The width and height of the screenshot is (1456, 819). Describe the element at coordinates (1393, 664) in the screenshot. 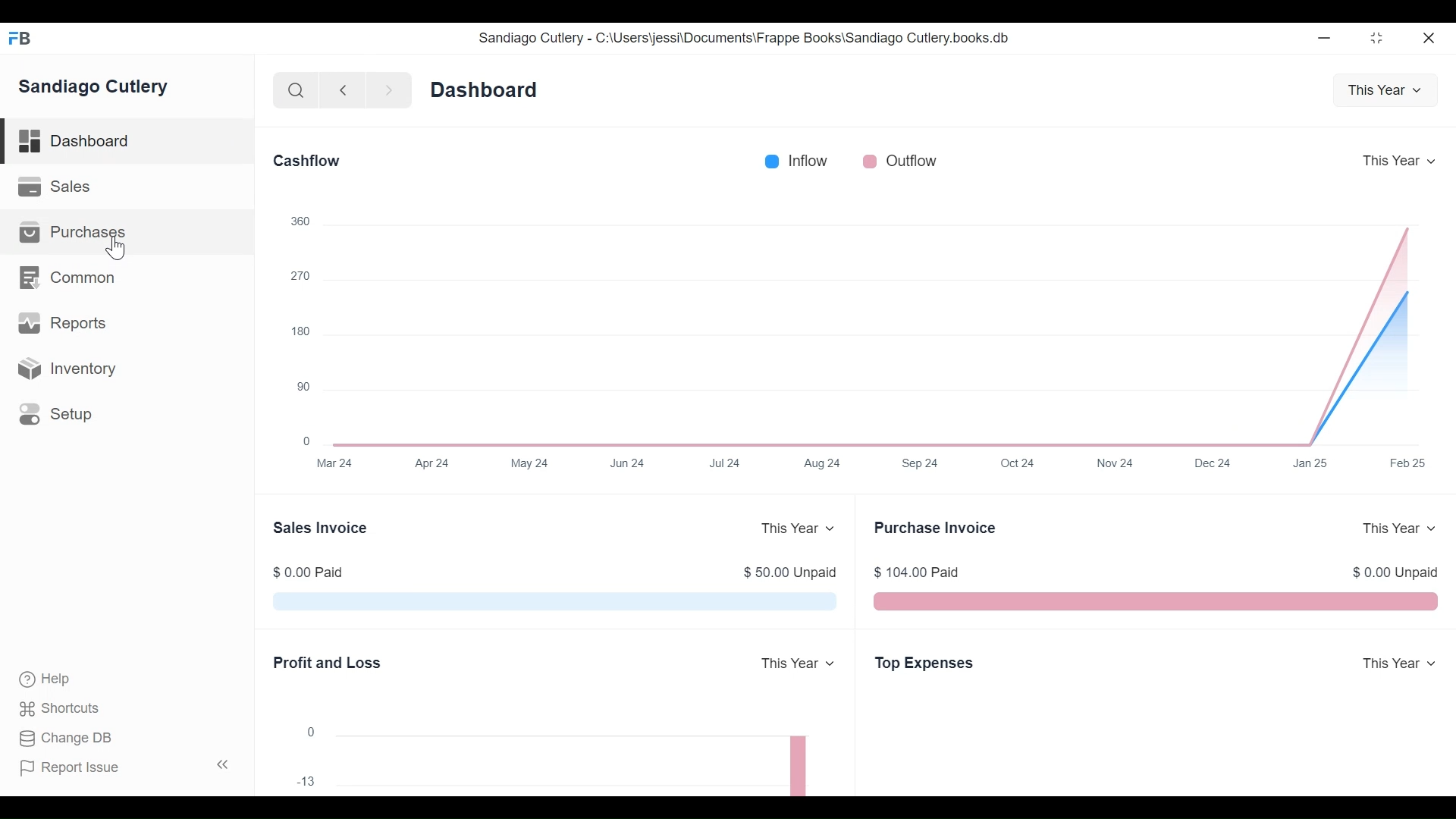

I see `This Year` at that location.